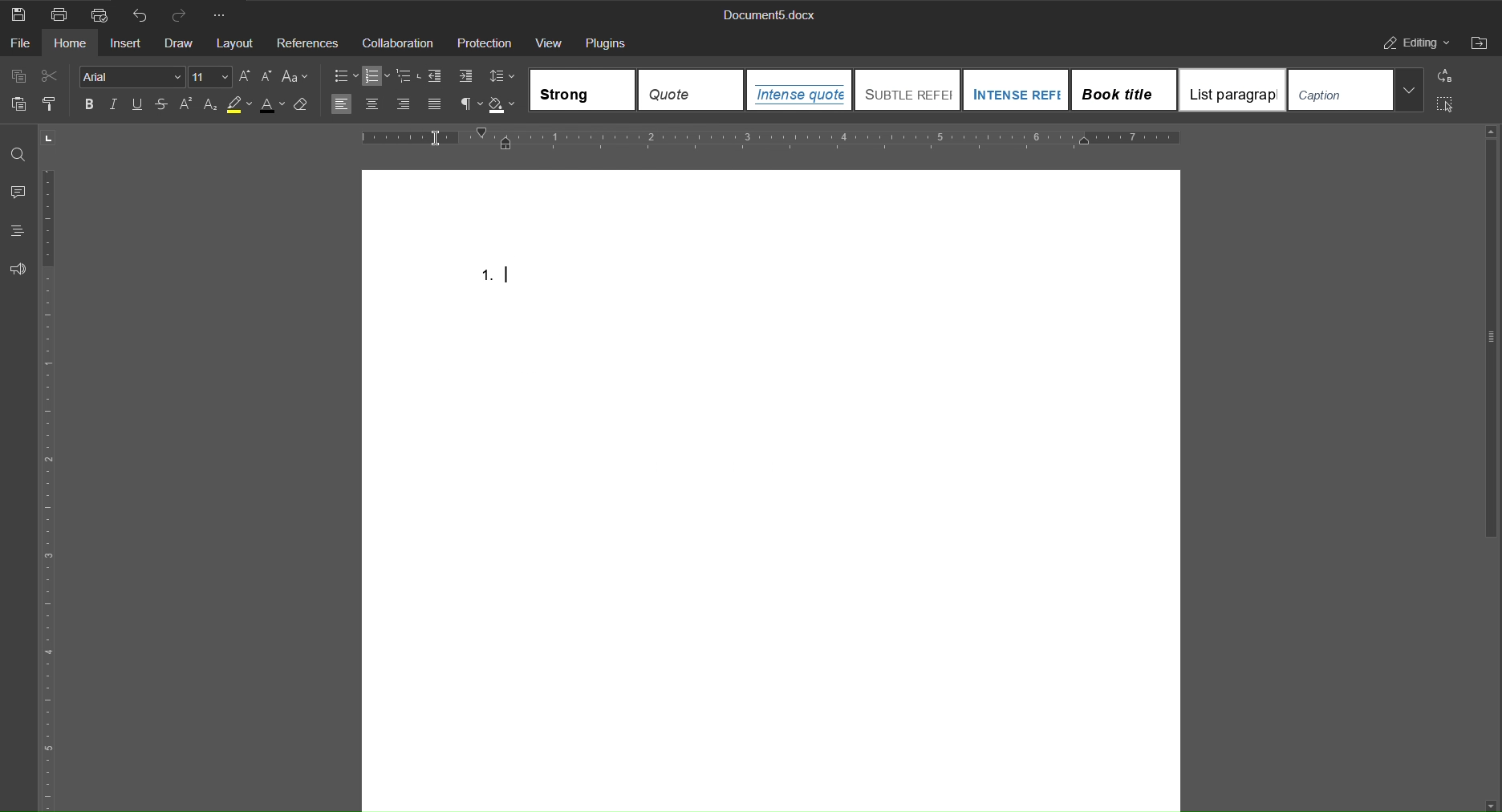  I want to click on Home, so click(74, 45).